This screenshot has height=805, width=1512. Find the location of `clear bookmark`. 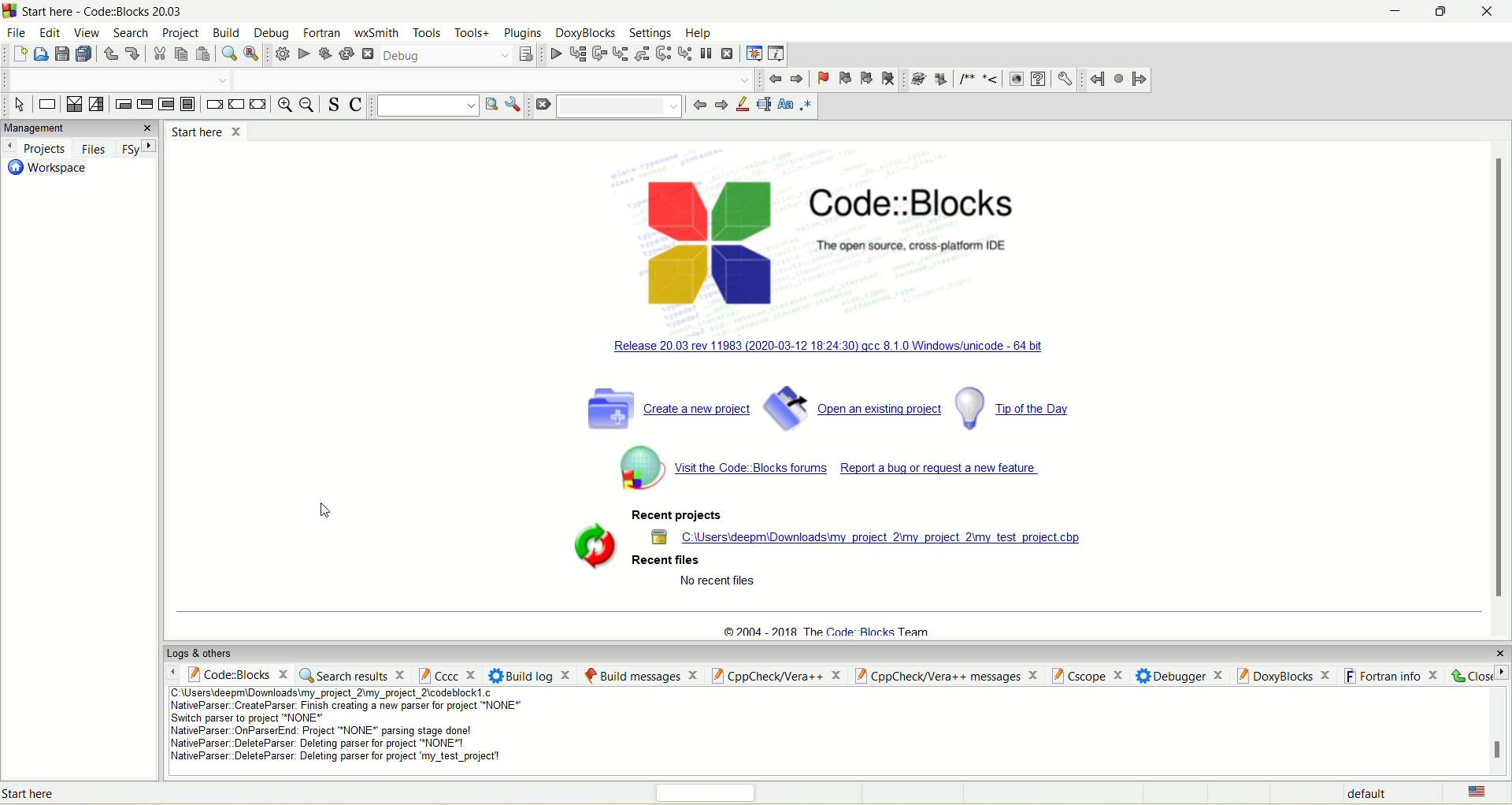

clear bookmark is located at coordinates (889, 80).